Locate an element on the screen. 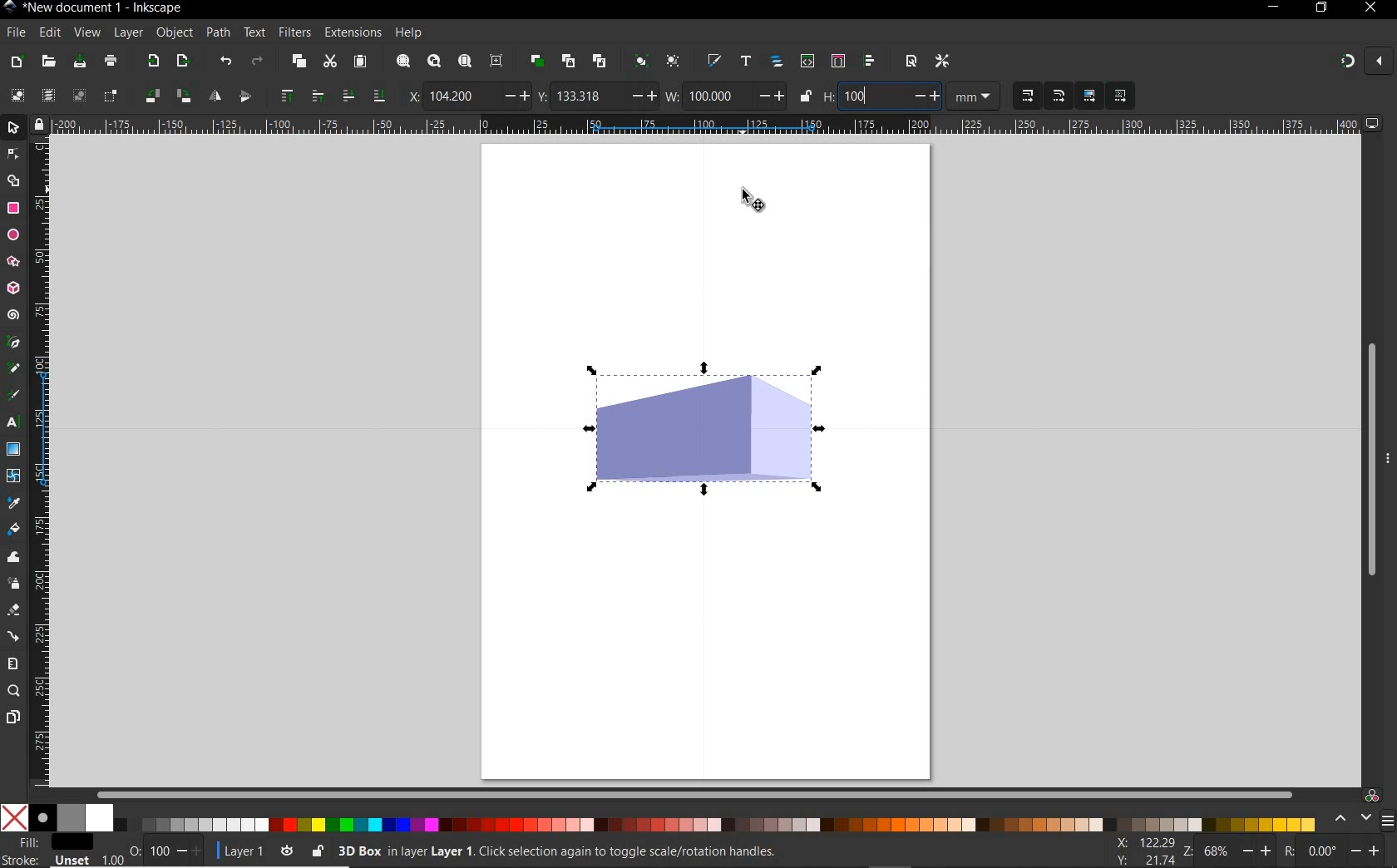  open file dialog is located at coordinates (47, 62).